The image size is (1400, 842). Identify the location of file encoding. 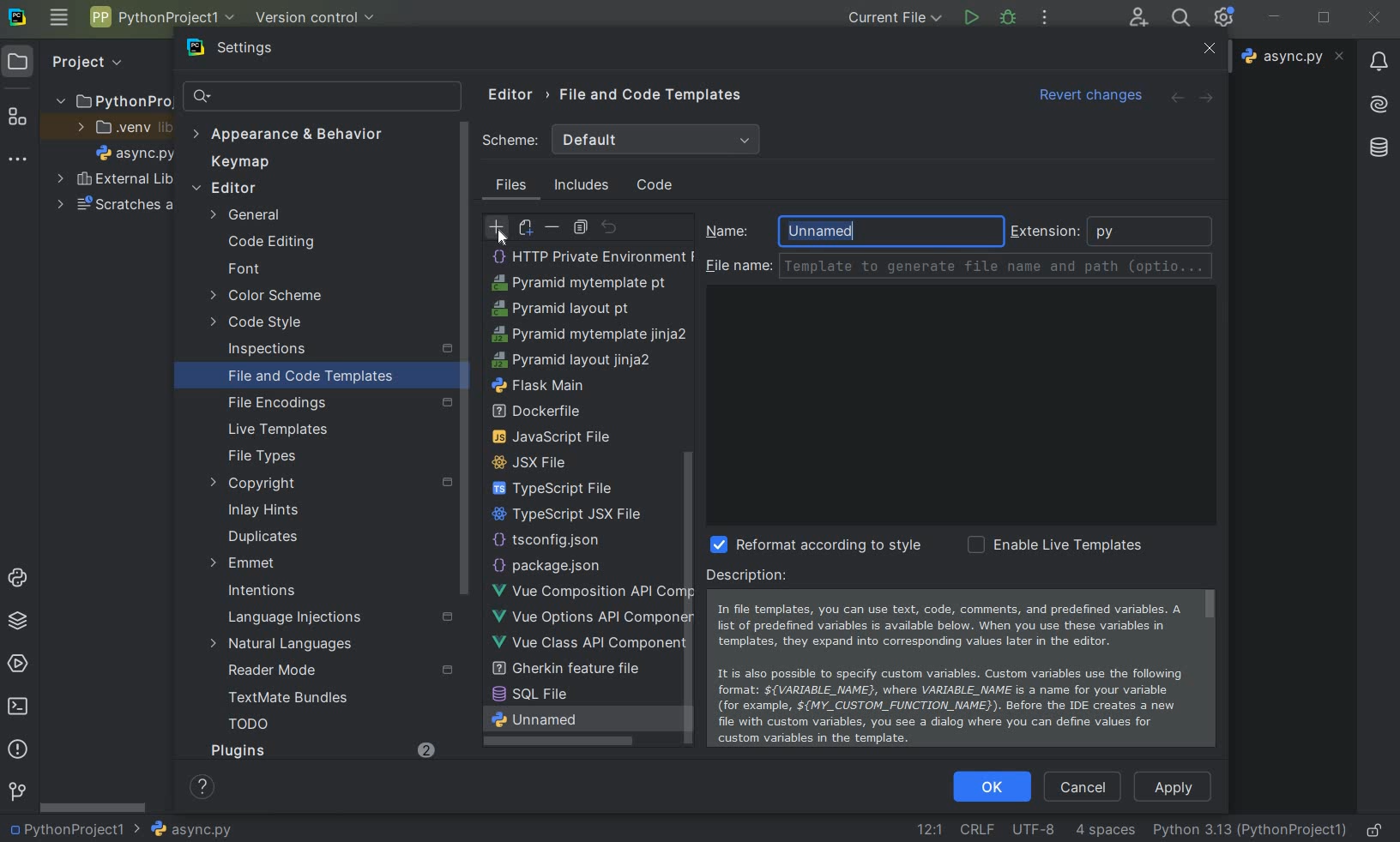
(335, 405).